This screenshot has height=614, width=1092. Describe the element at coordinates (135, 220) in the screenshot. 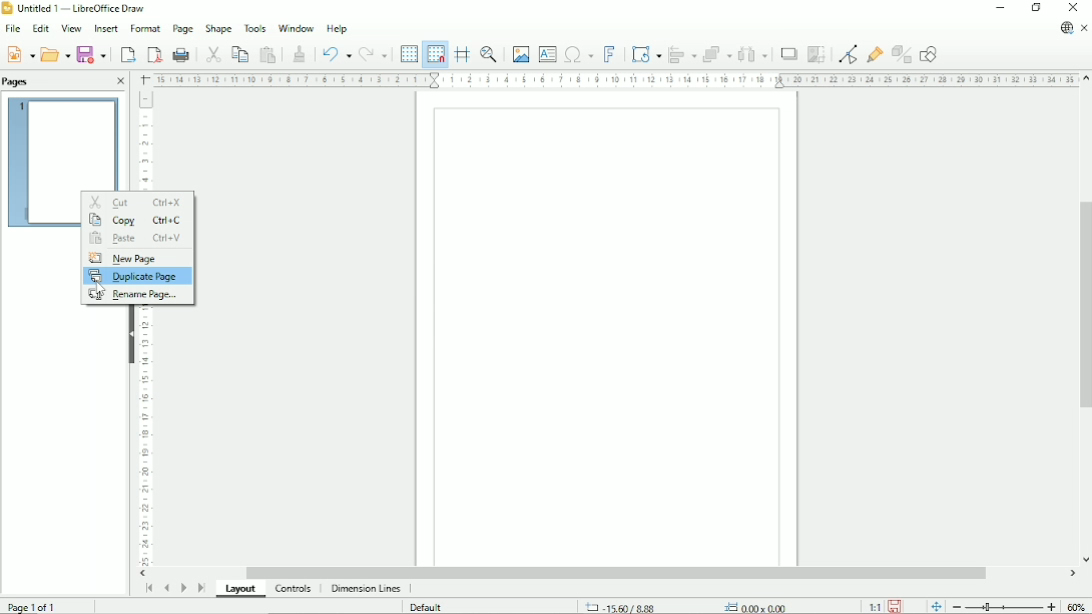

I see `Copy` at that location.